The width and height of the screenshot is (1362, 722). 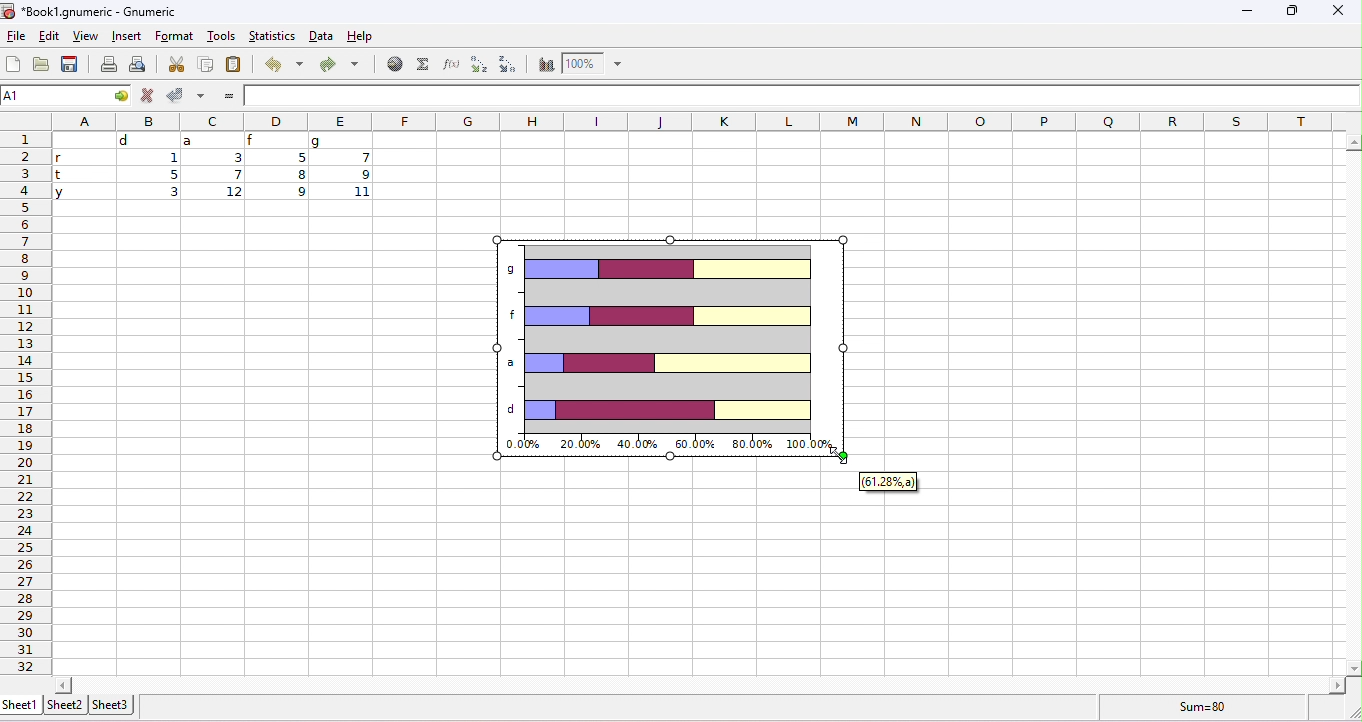 I want to click on insert, so click(x=125, y=36).